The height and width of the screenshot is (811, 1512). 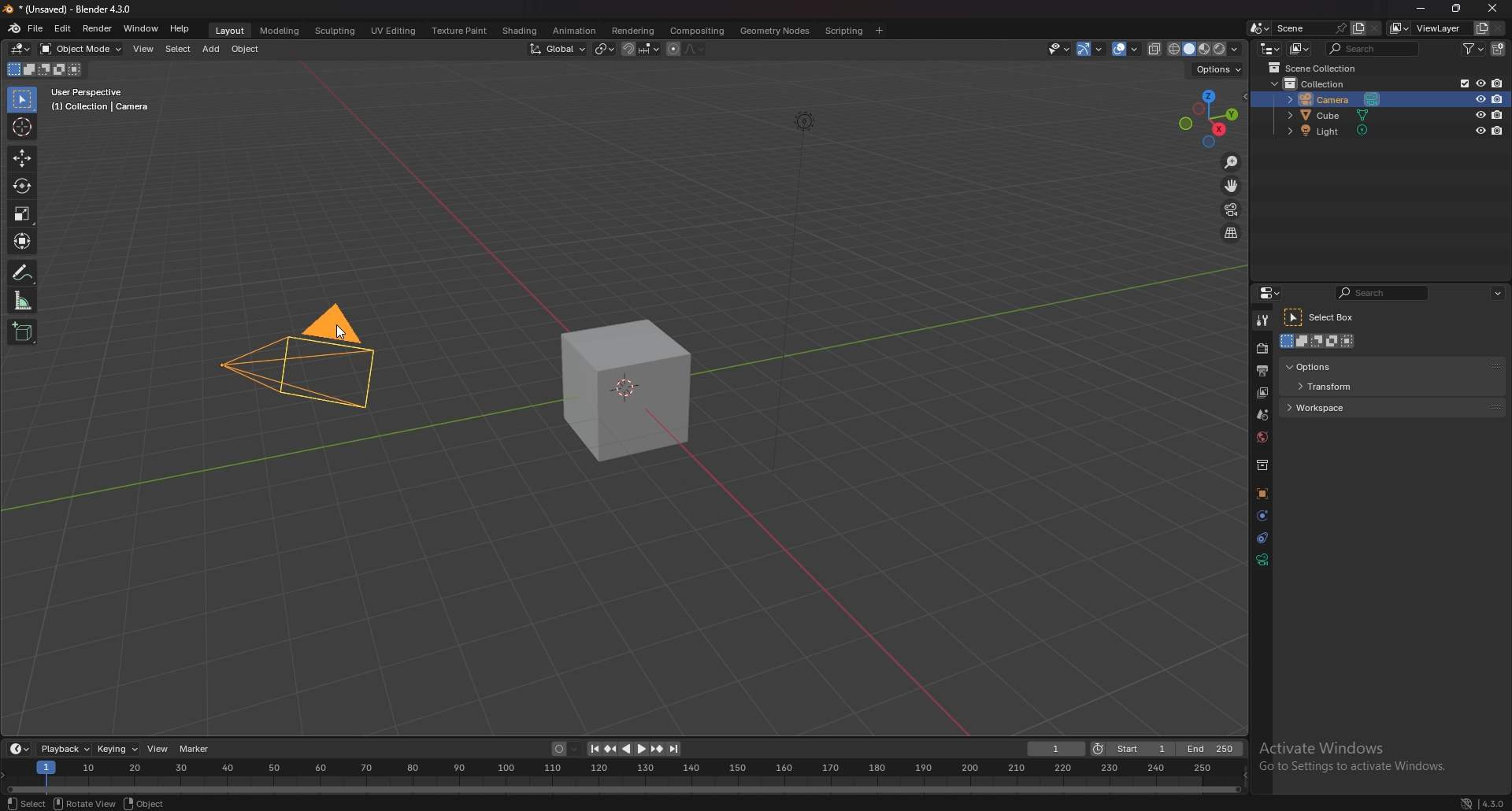 I want to click on search, so click(x=1373, y=48).